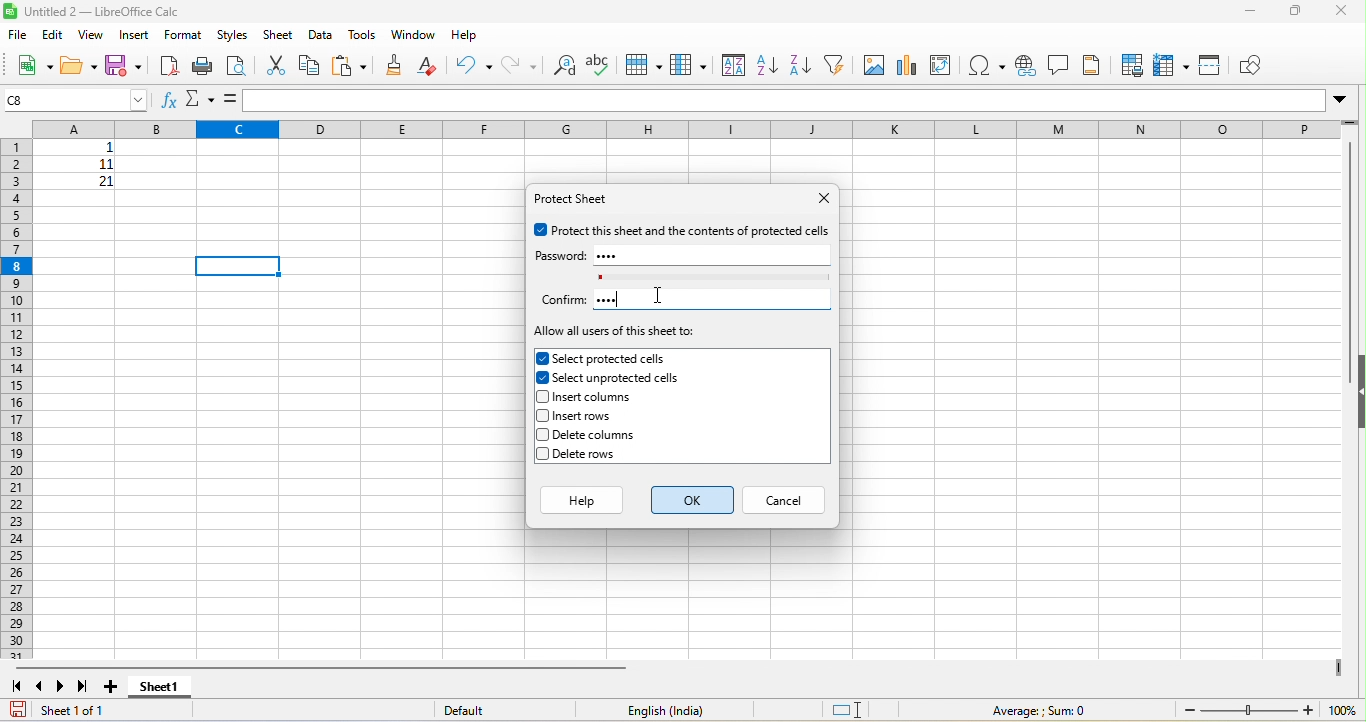 This screenshot has width=1366, height=722. What do you see at coordinates (19, 398) in the screenshot?
I see `row numbers` at bounding box center [19, 398].